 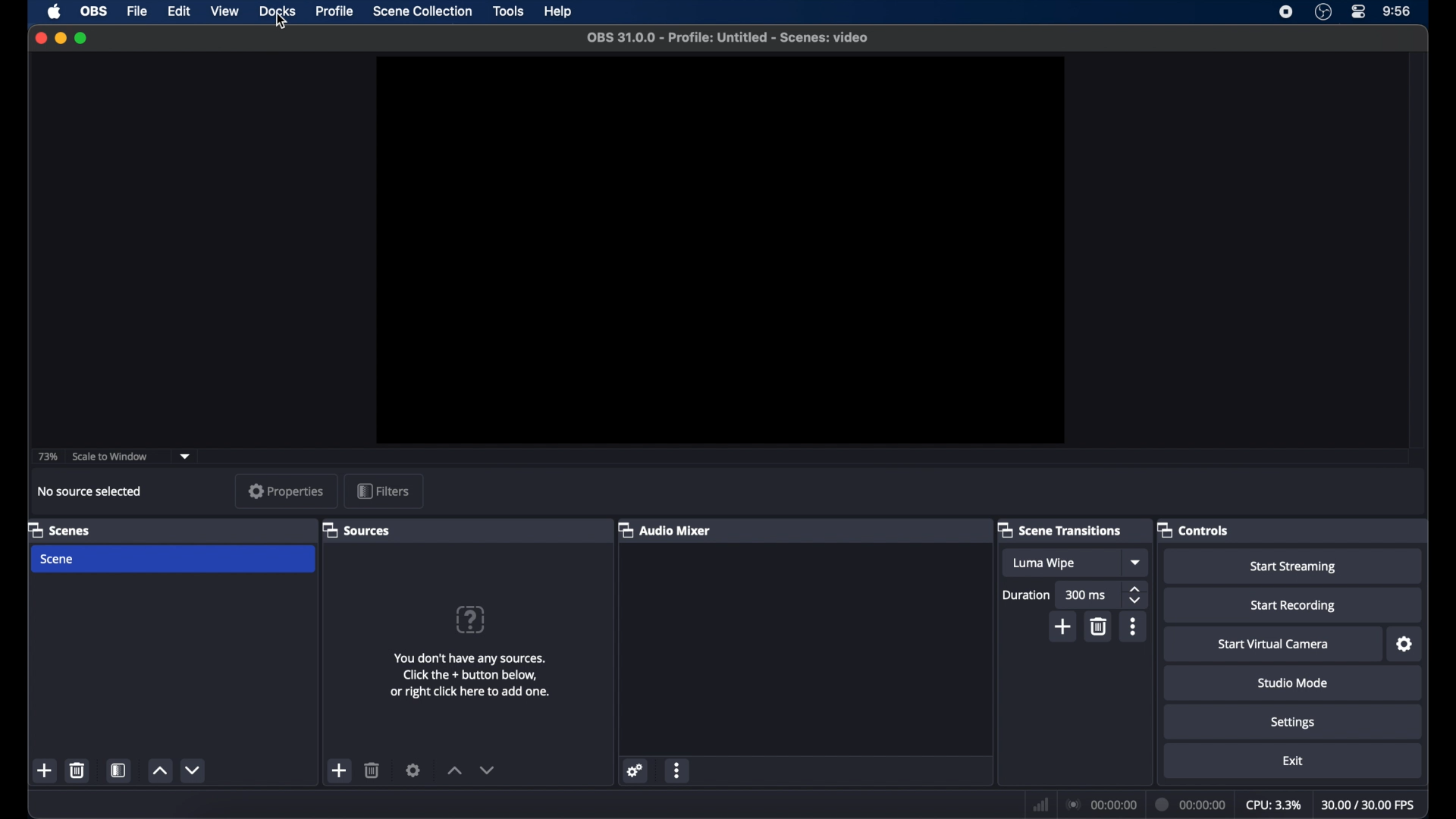 I want to click on no source selected, so click(x=93, y=491).